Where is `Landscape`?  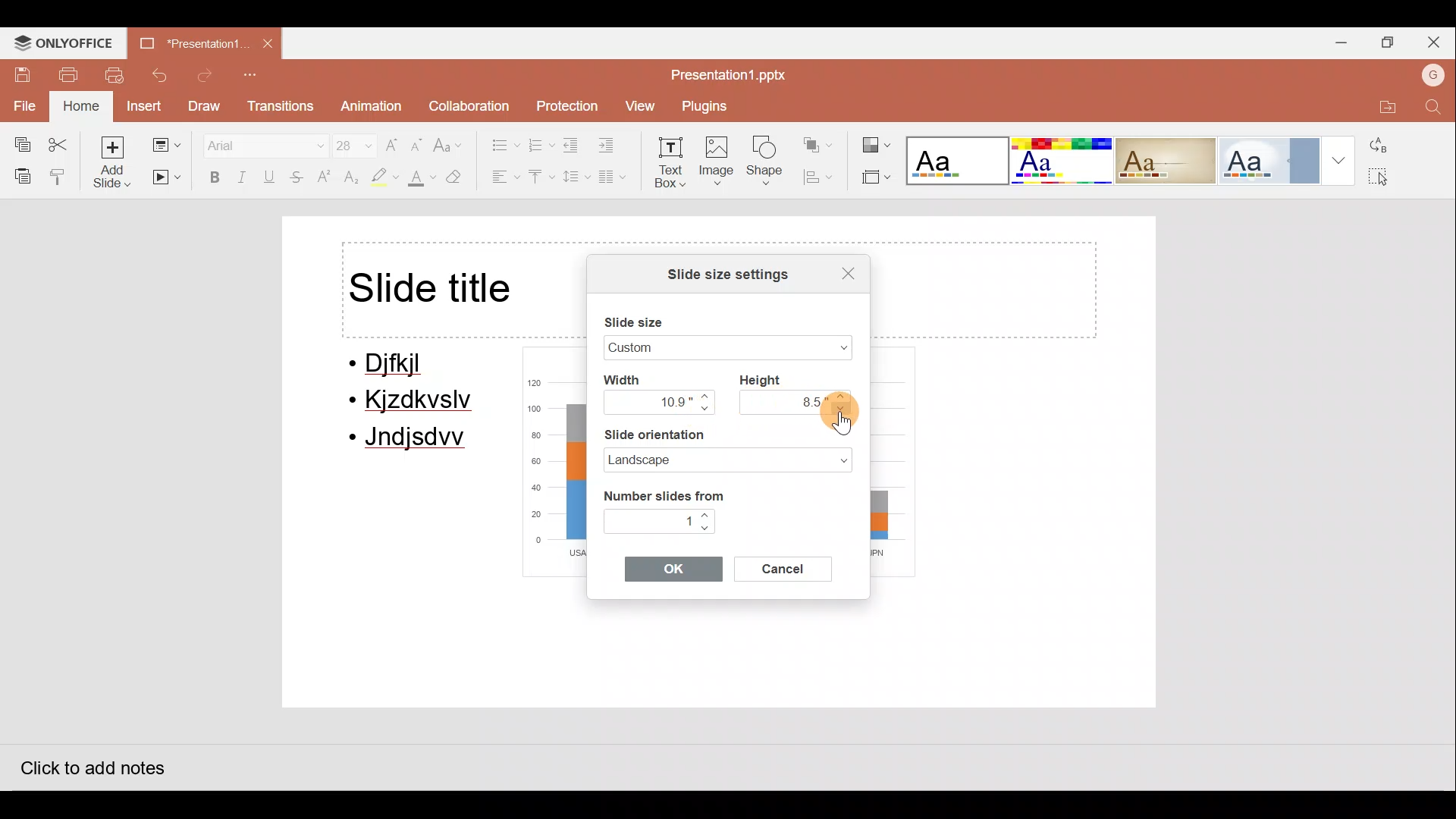 Landscape is located at coordinates (692, 460).